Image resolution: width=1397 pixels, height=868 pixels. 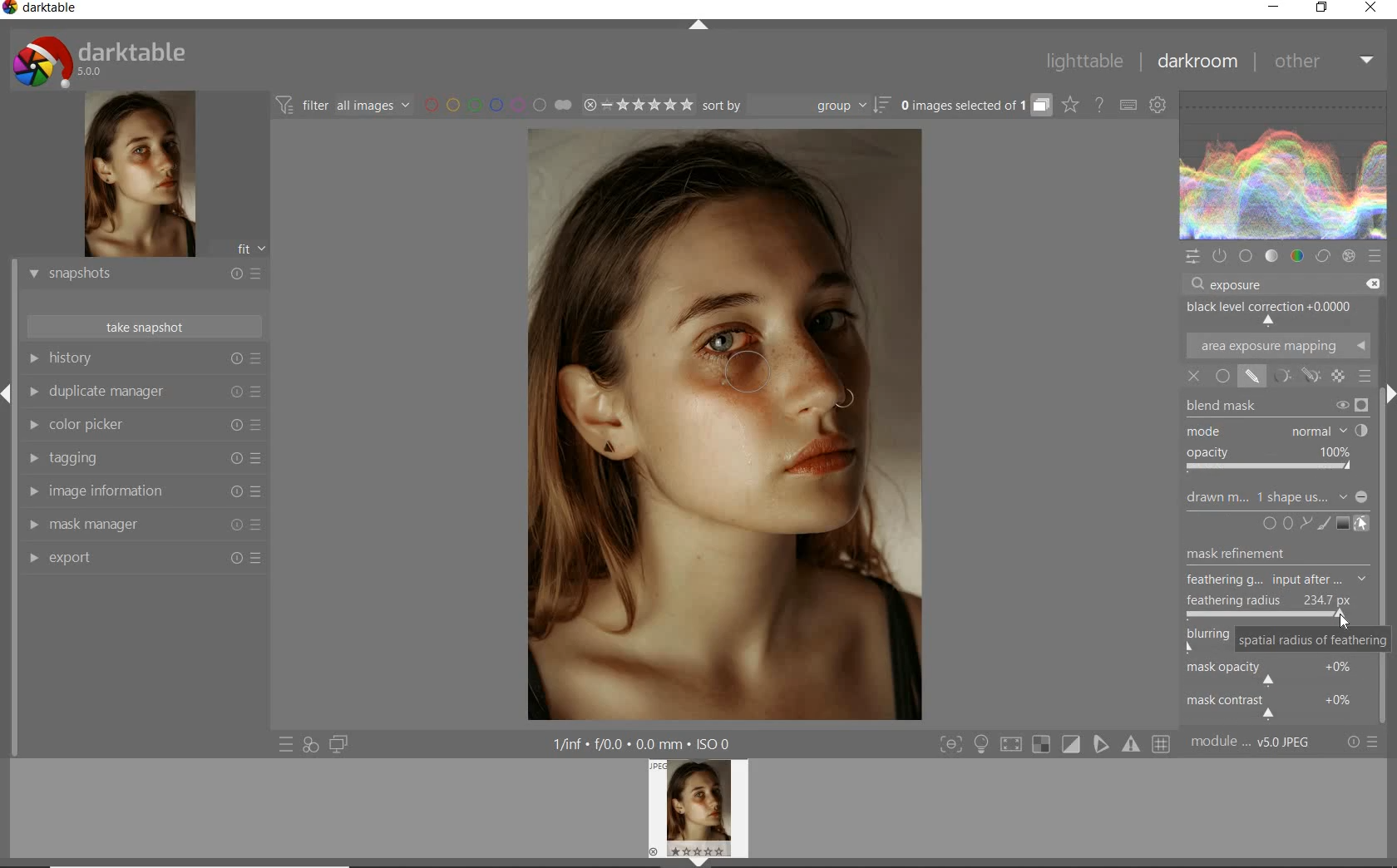 I want to click on MASK REFINEMENT, so click(x=1254, y=555).